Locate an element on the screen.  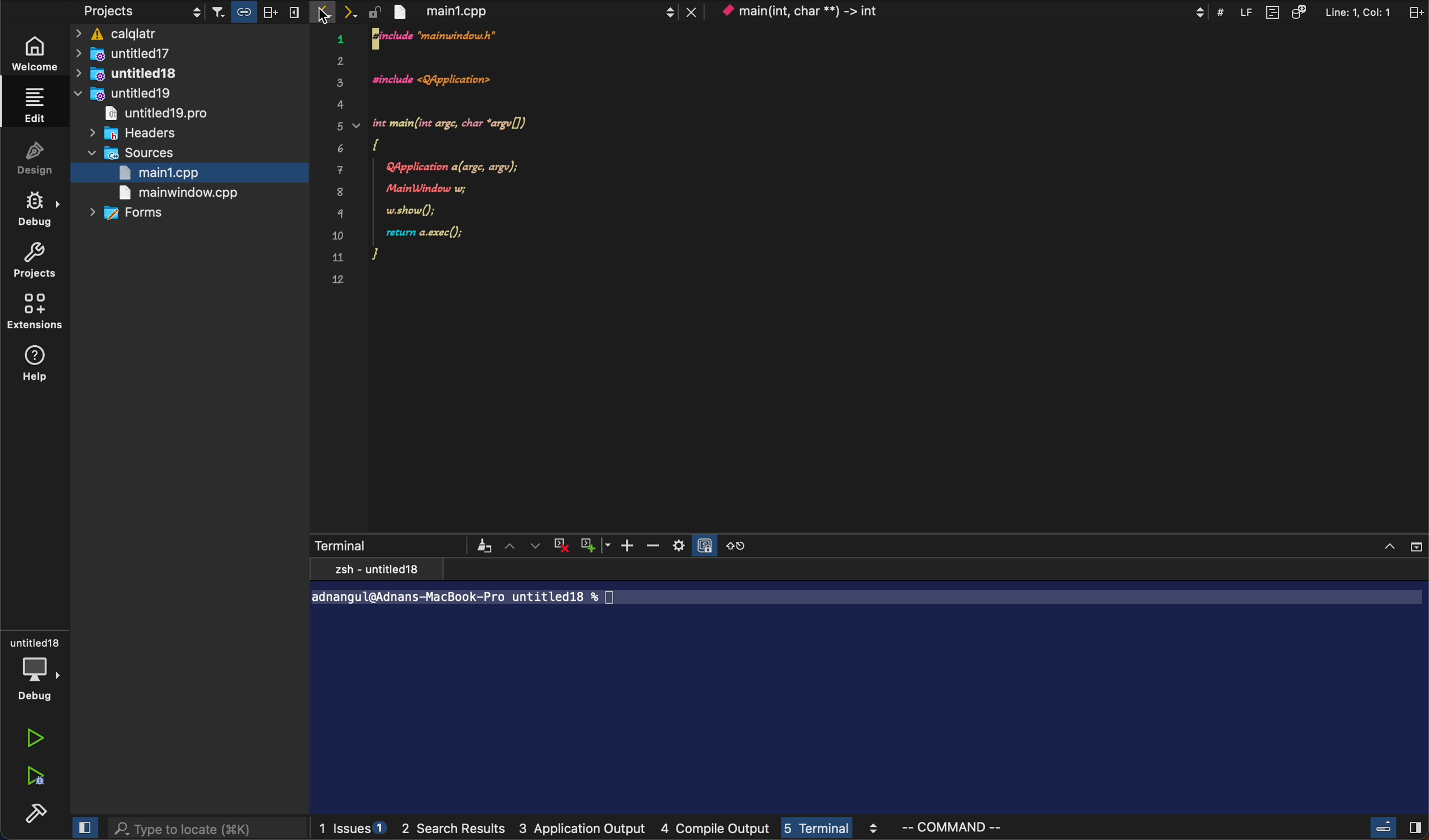
cross is located at coordinates (564, 546).